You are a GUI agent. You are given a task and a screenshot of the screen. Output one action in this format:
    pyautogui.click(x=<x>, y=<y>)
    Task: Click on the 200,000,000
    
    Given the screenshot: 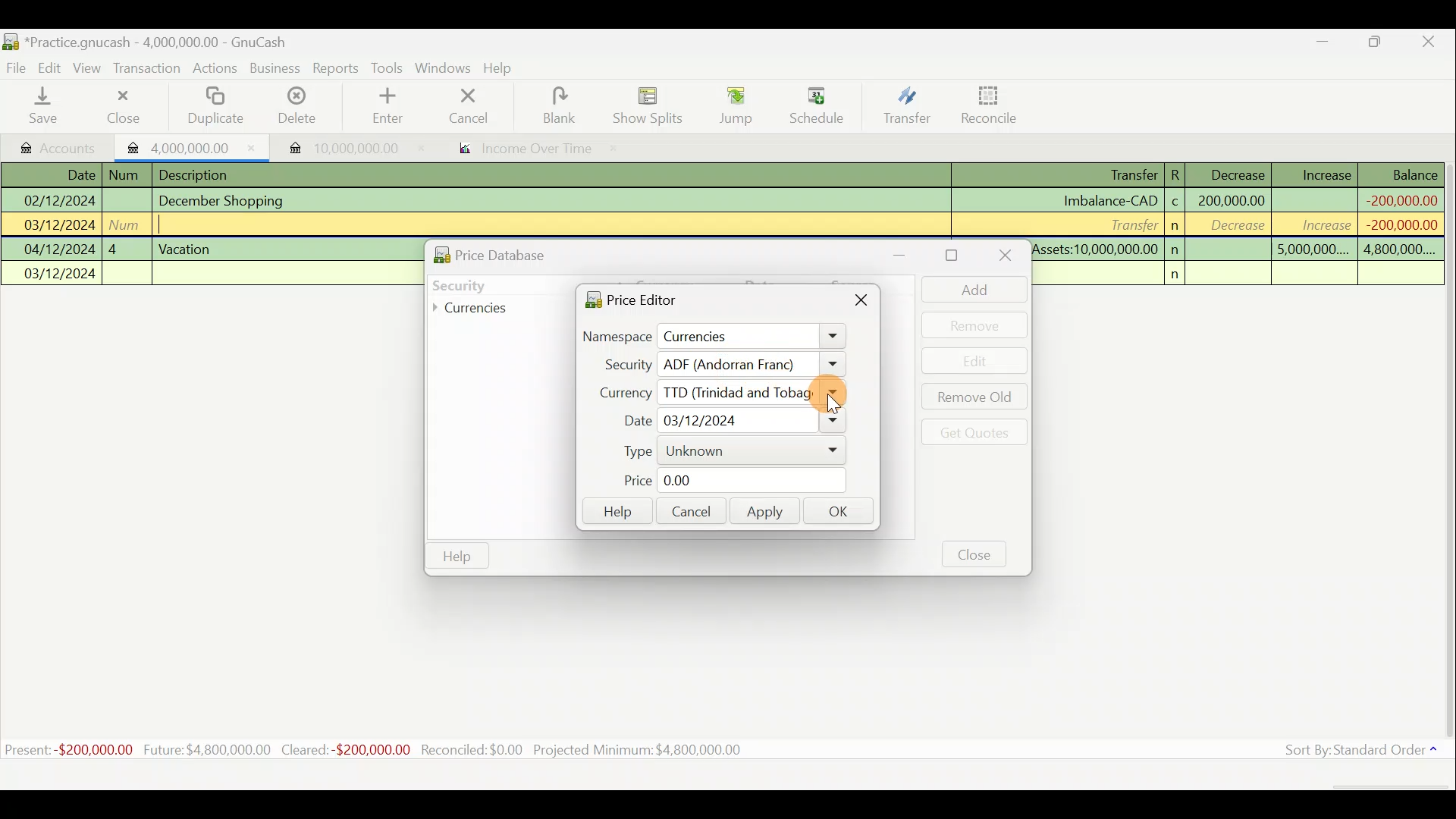 What is the action you would take?
    pyautogui.click(x=1230, y=200)
    